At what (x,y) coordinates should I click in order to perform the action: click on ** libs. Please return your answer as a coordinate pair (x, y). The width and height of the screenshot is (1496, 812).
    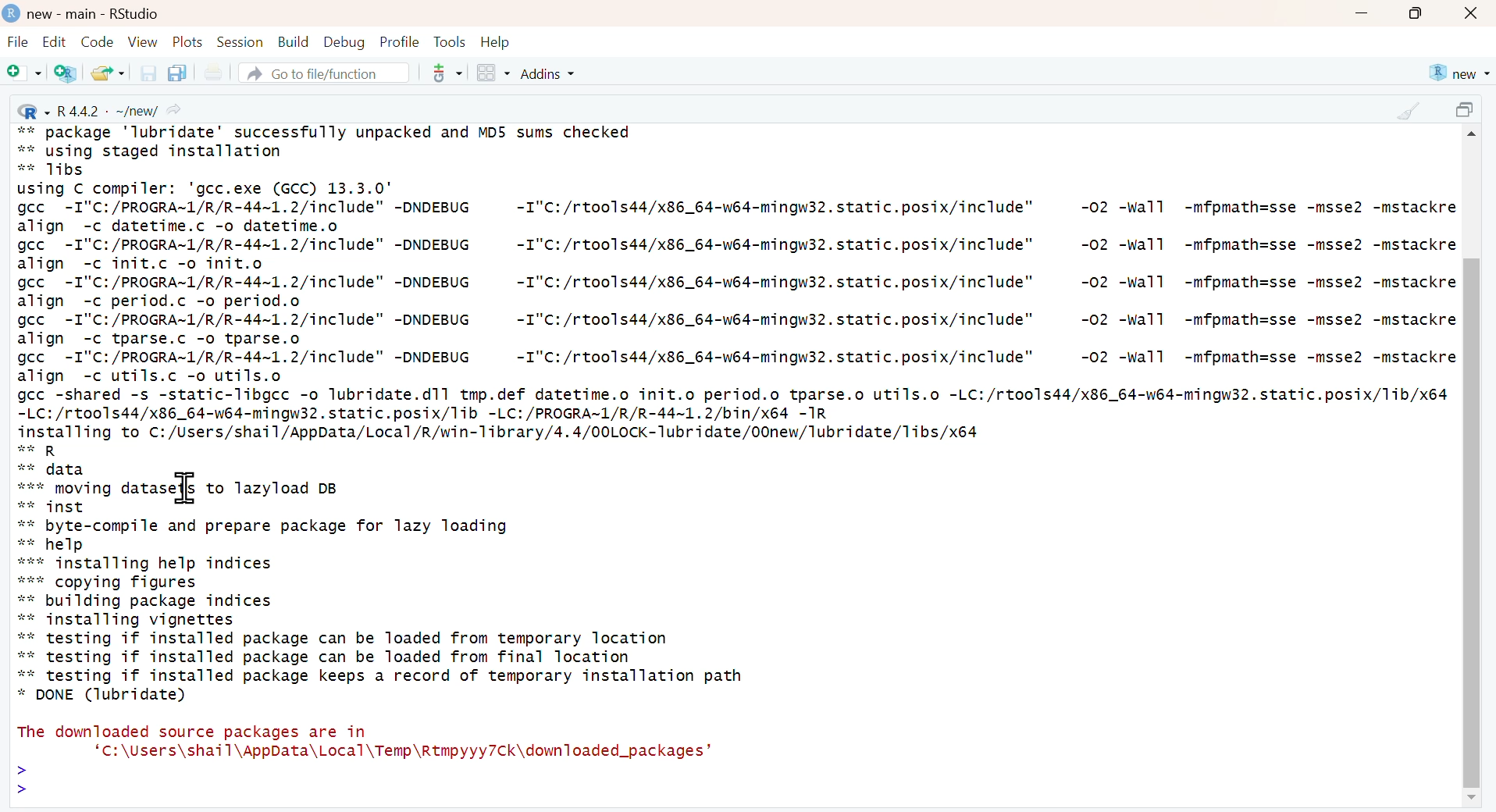
    Looking at the image, I should click on (59, 170).